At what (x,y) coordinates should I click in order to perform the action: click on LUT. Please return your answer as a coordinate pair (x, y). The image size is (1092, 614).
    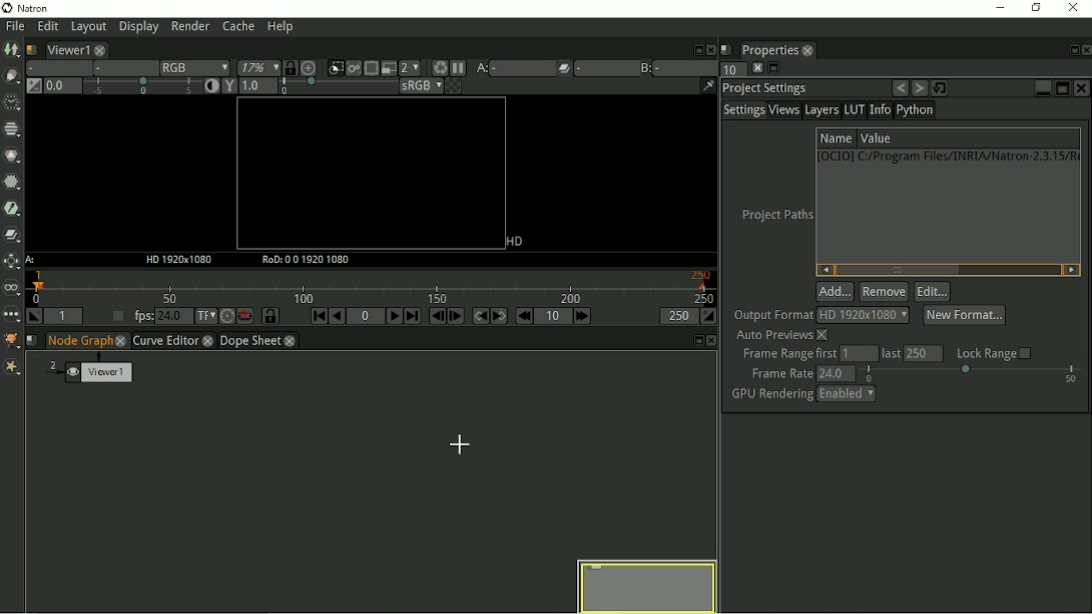
    Looking at the image, I should click on (854, 110).